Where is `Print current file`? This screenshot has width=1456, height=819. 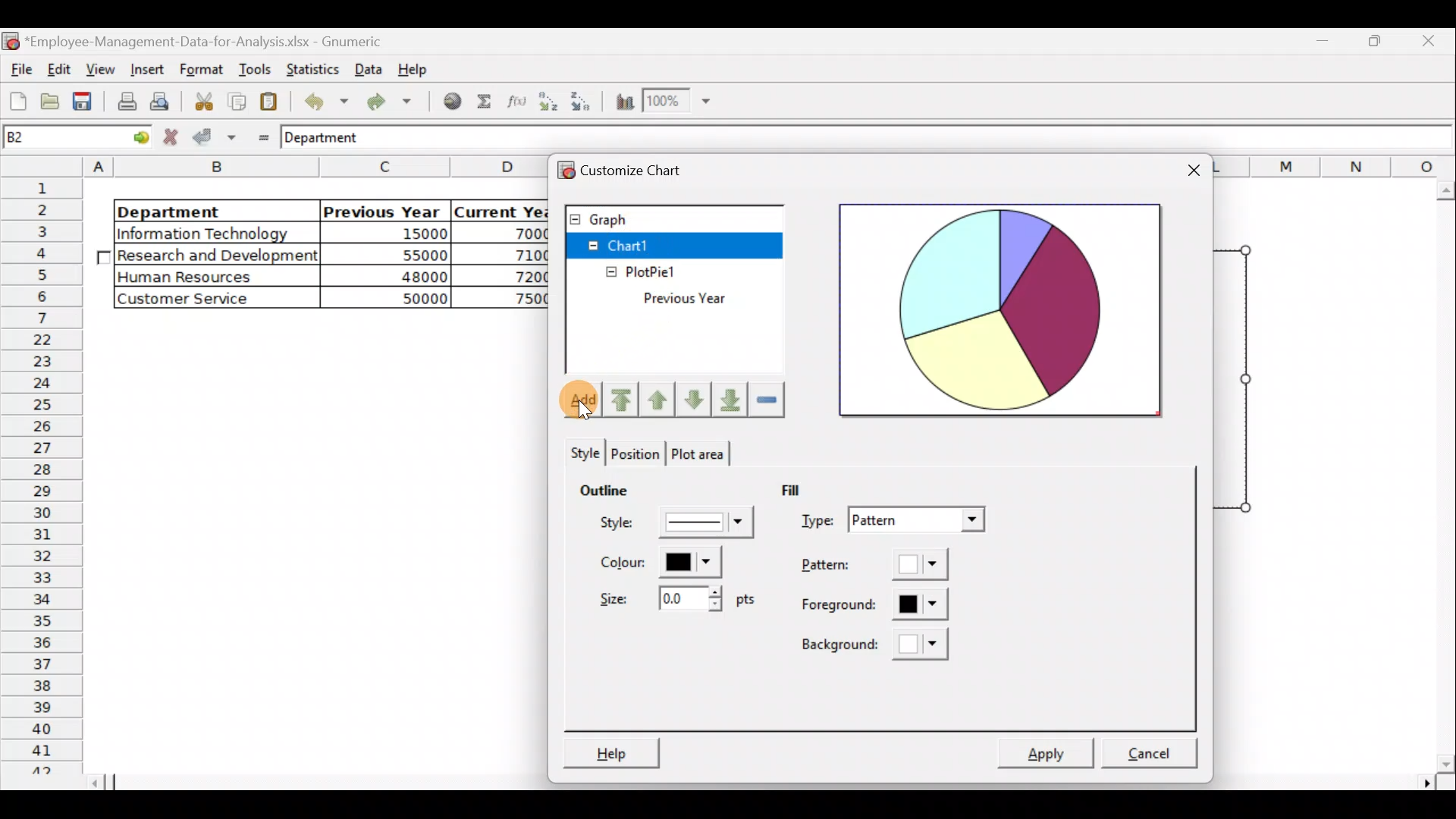 Print current file is located at coordinates (124, 103).